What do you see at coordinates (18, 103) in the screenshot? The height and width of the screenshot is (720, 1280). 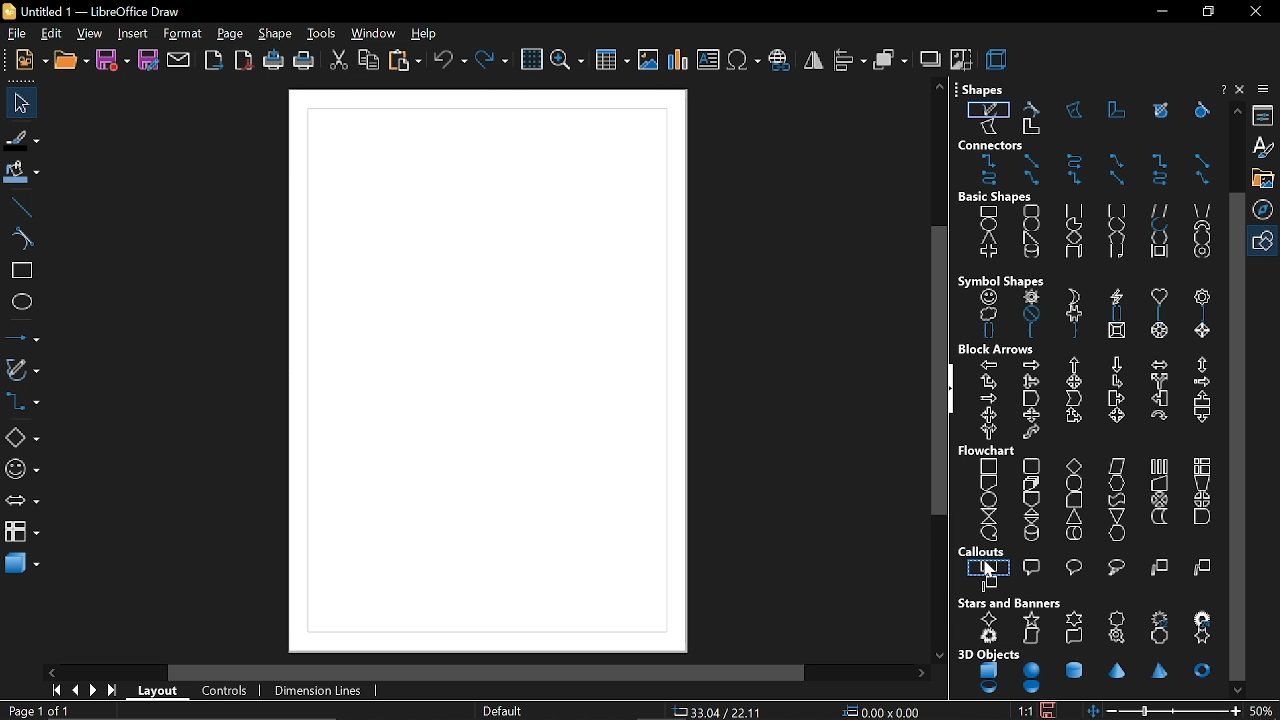 I see `select` at bounding box center [18, 103].